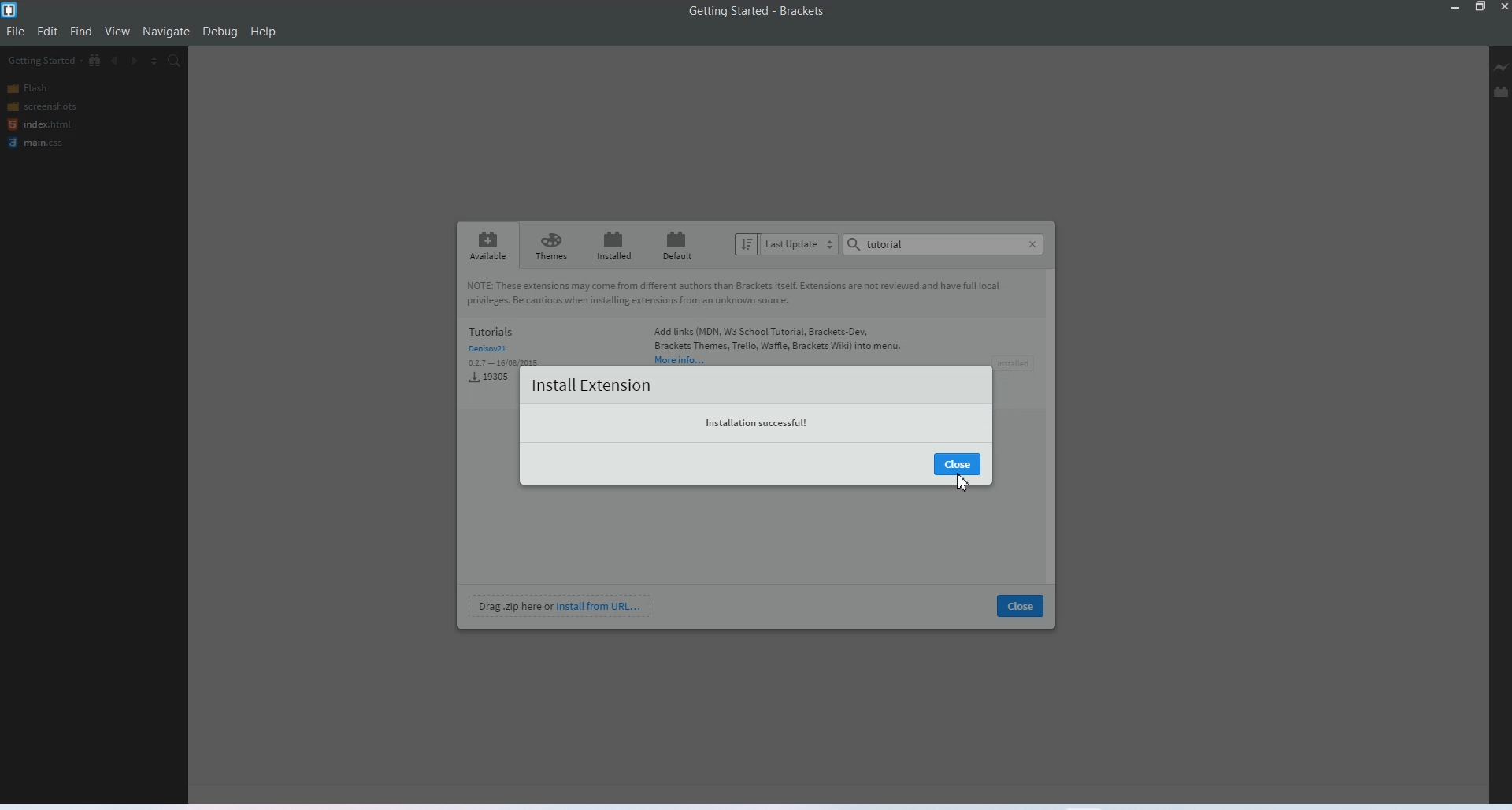 The height and width of the screenshot is (810, 1512). Describe the element at coordinates (1499, 67) in the screenshot. I see `Live Preview` at that location.